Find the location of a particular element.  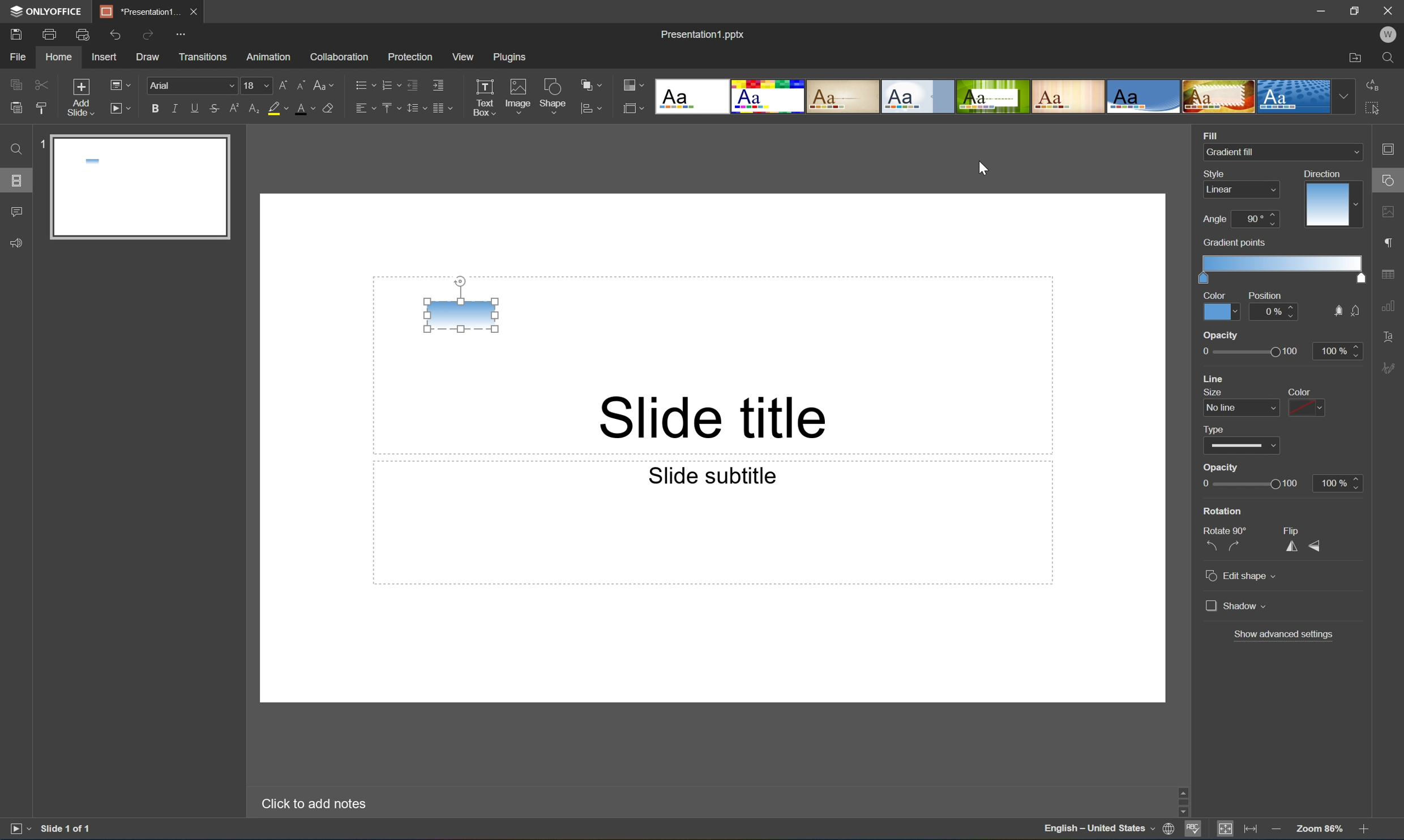

Strikethrough is located at coordinates (214, 109).